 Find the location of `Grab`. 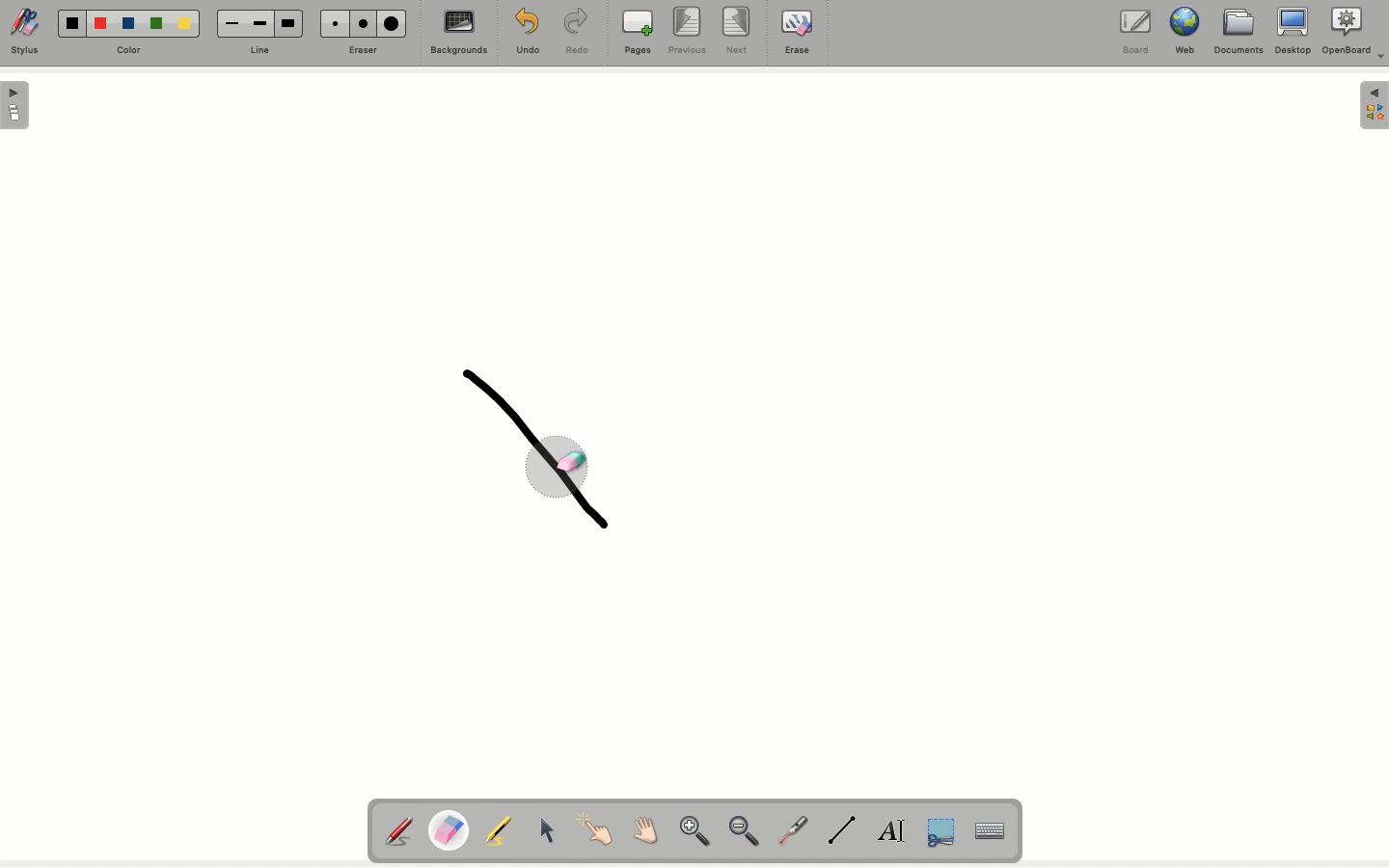

Grab is located at coordinates (643, 831).